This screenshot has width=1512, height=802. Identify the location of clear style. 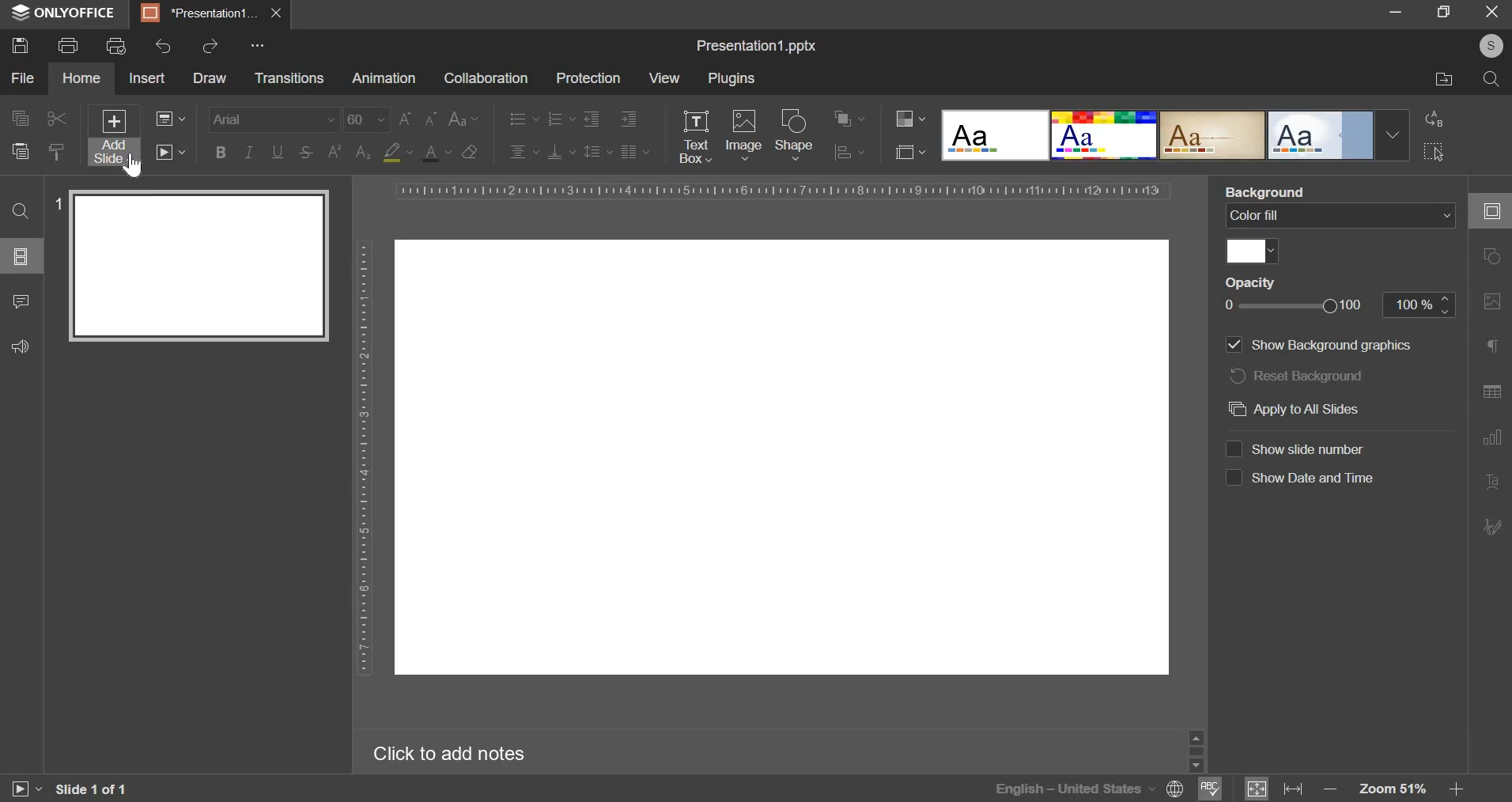
(57, 151).